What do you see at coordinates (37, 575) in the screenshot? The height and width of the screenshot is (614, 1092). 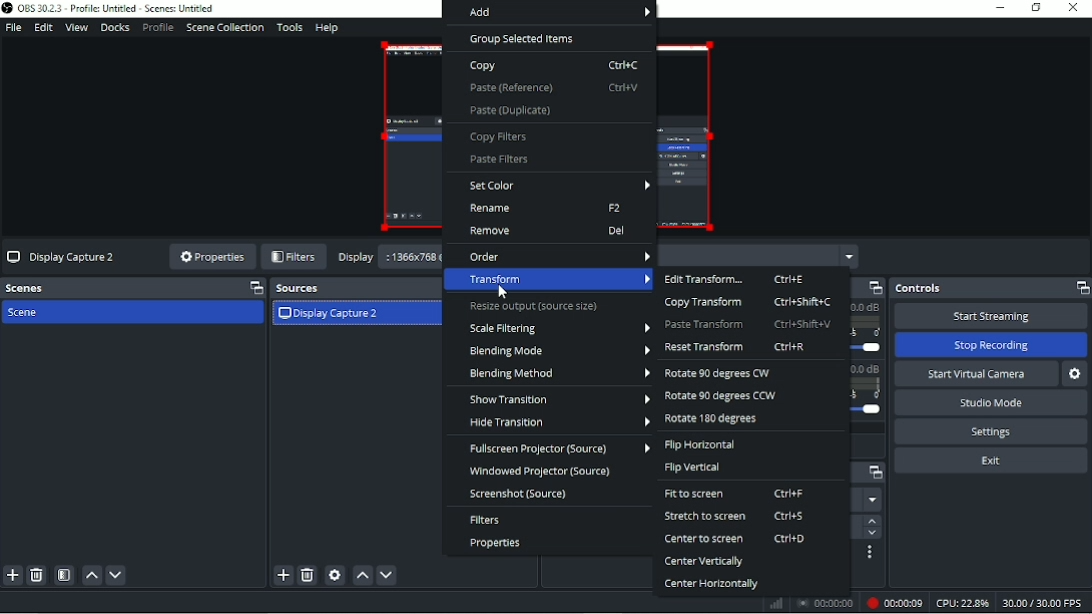 I see `Remove selected scene` at bounding box center [37, 575].